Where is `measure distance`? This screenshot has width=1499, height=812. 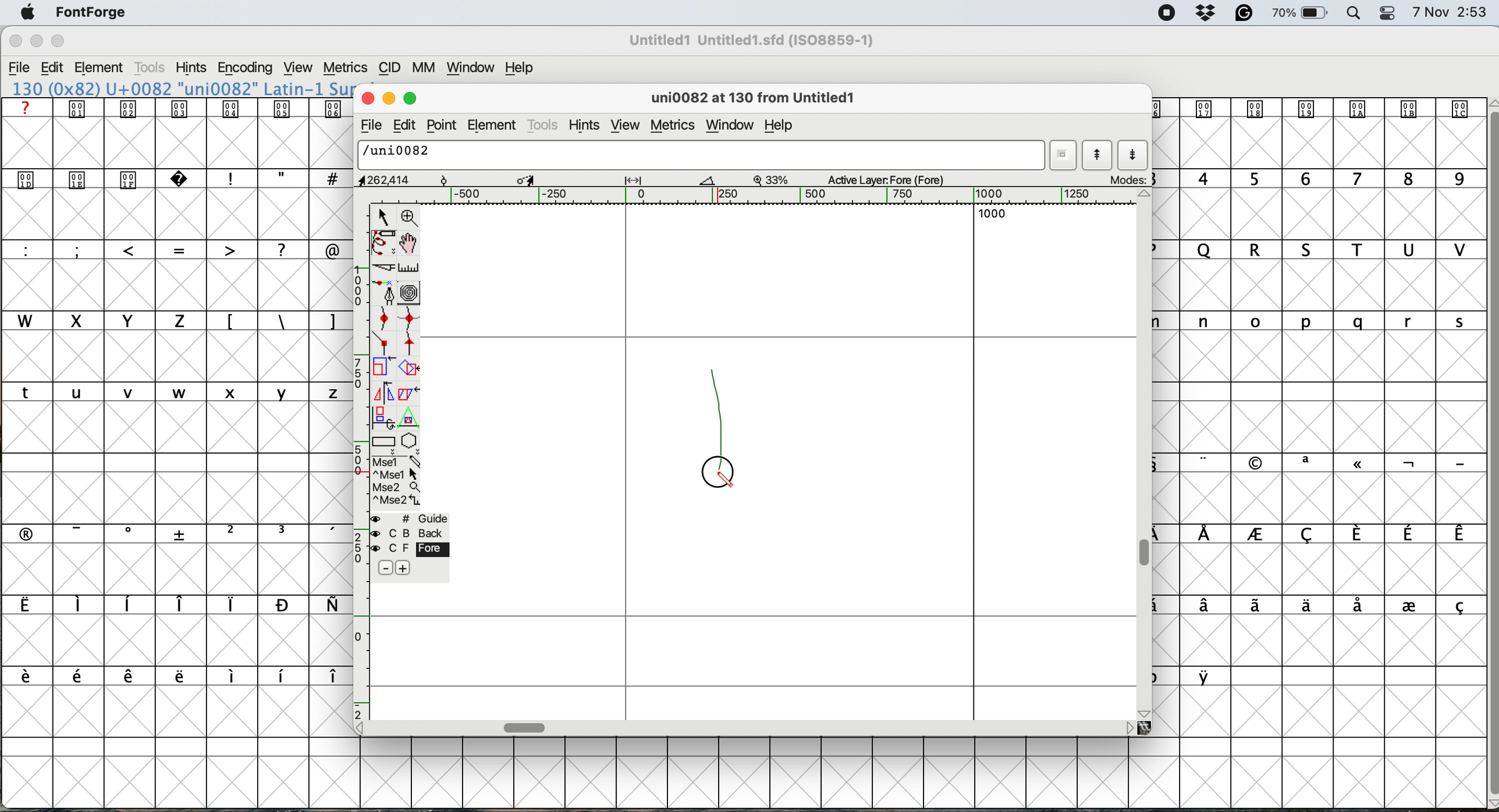 measure distance is located at coordinates (409, 267).